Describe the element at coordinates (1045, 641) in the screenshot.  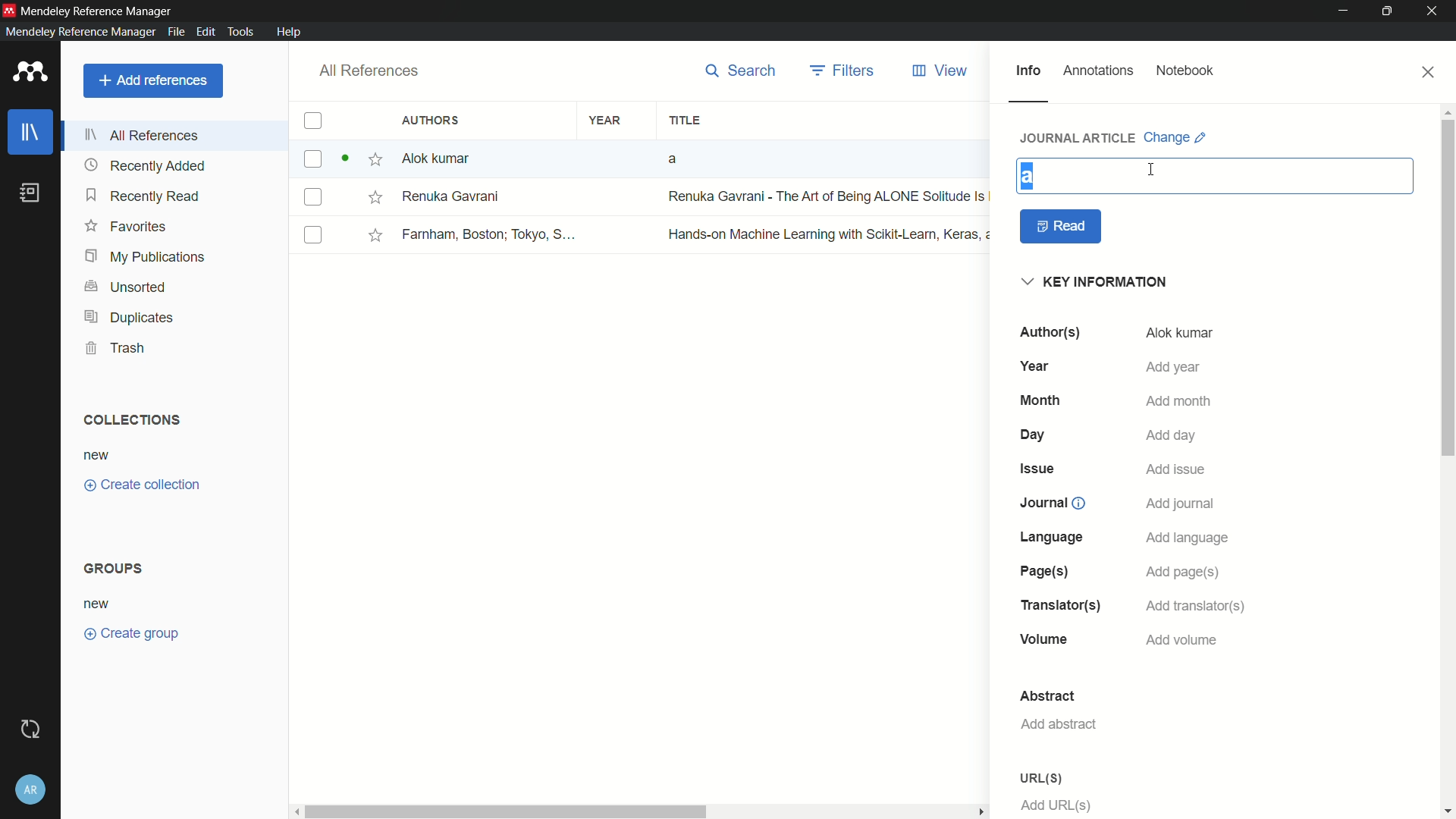
I see `volume` at that location.